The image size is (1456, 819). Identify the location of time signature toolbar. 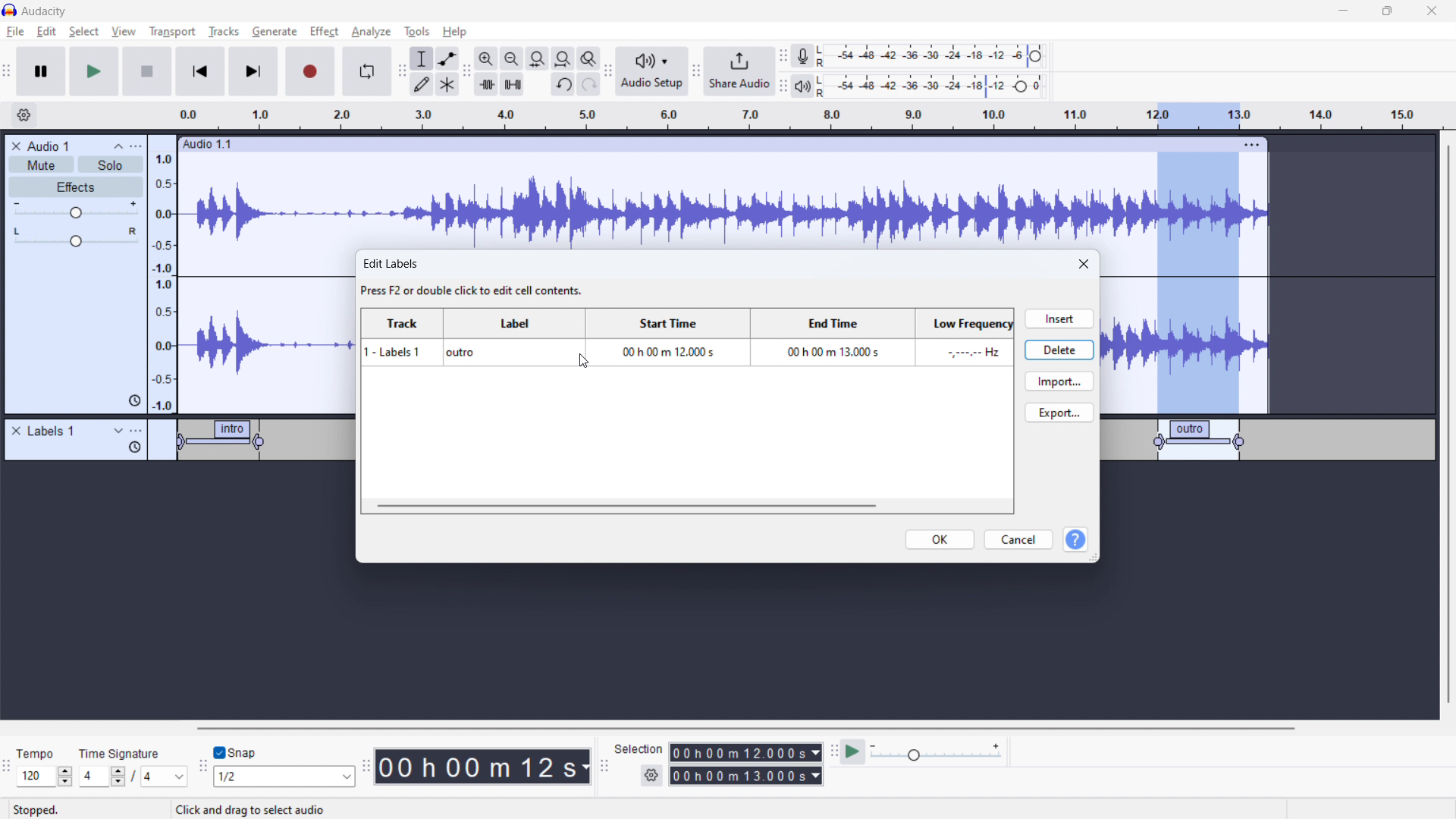
(9, 770).